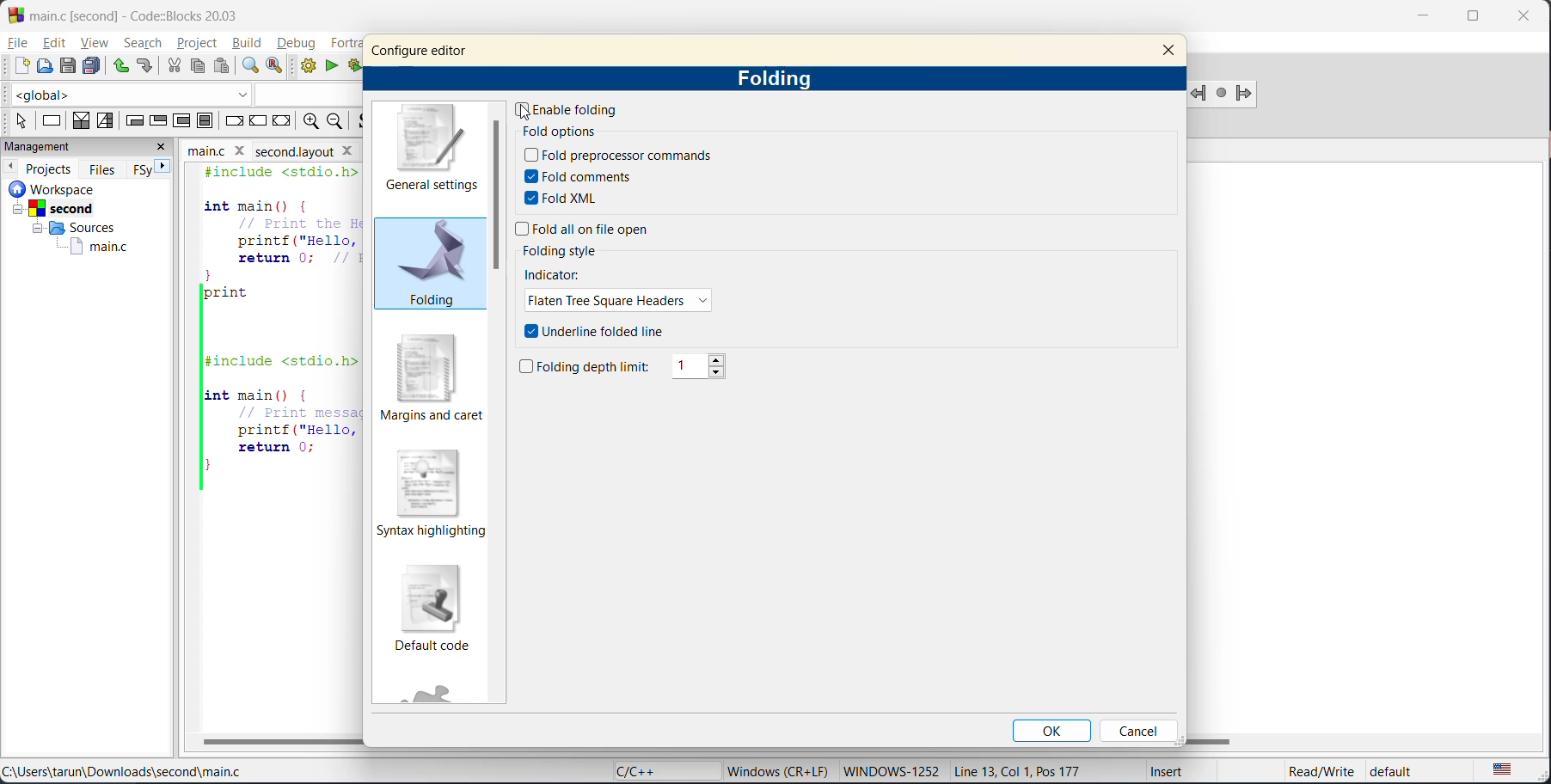 The width and height of the screenshot is (1551, 784). Describe the element at coordinates (169, 168) in the screenshot. I see `next` at that location.